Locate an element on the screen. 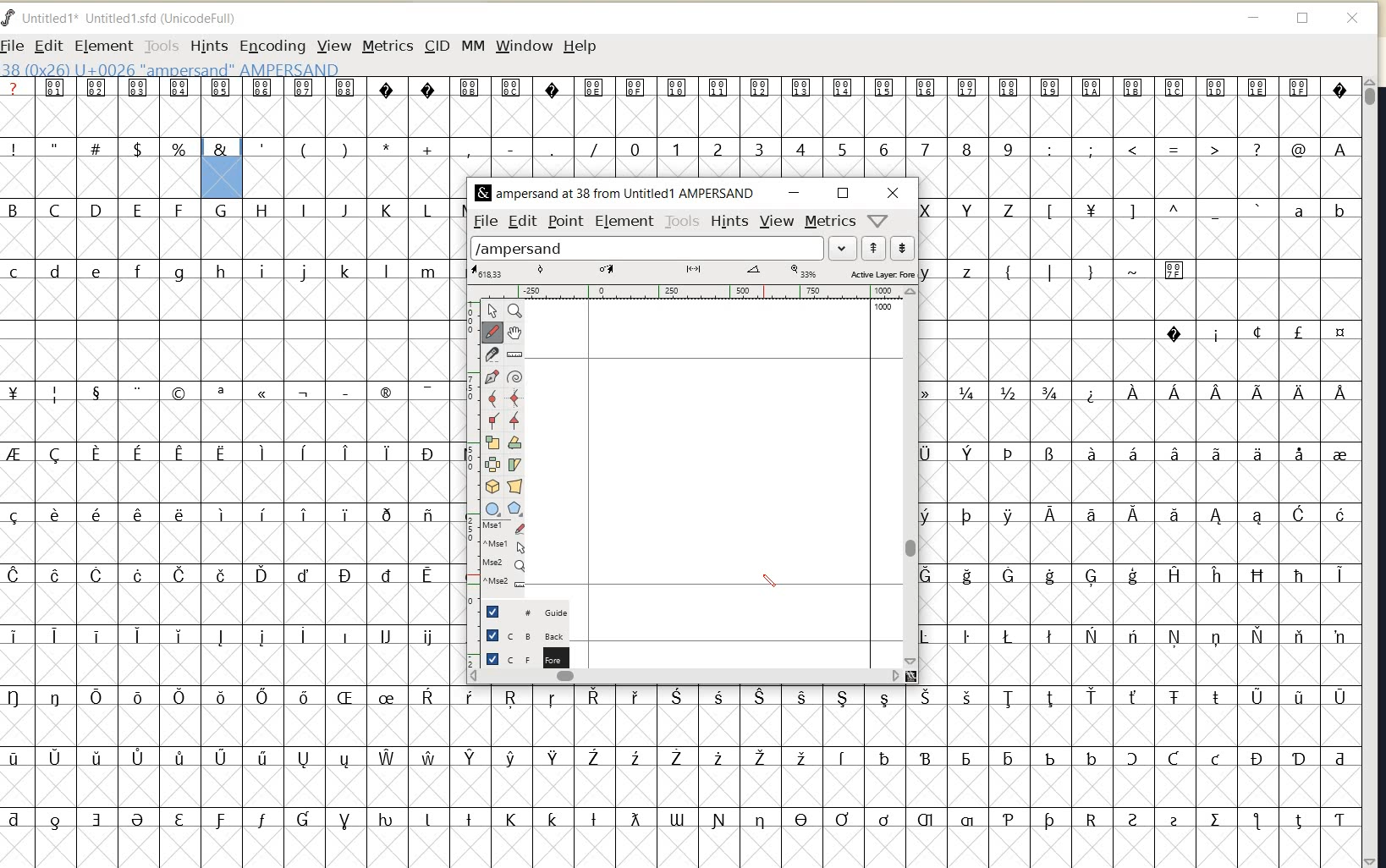 Image resolution: width=1386 pixels, height=868 pixels. scale the selection is located at coordinates (491, 442).